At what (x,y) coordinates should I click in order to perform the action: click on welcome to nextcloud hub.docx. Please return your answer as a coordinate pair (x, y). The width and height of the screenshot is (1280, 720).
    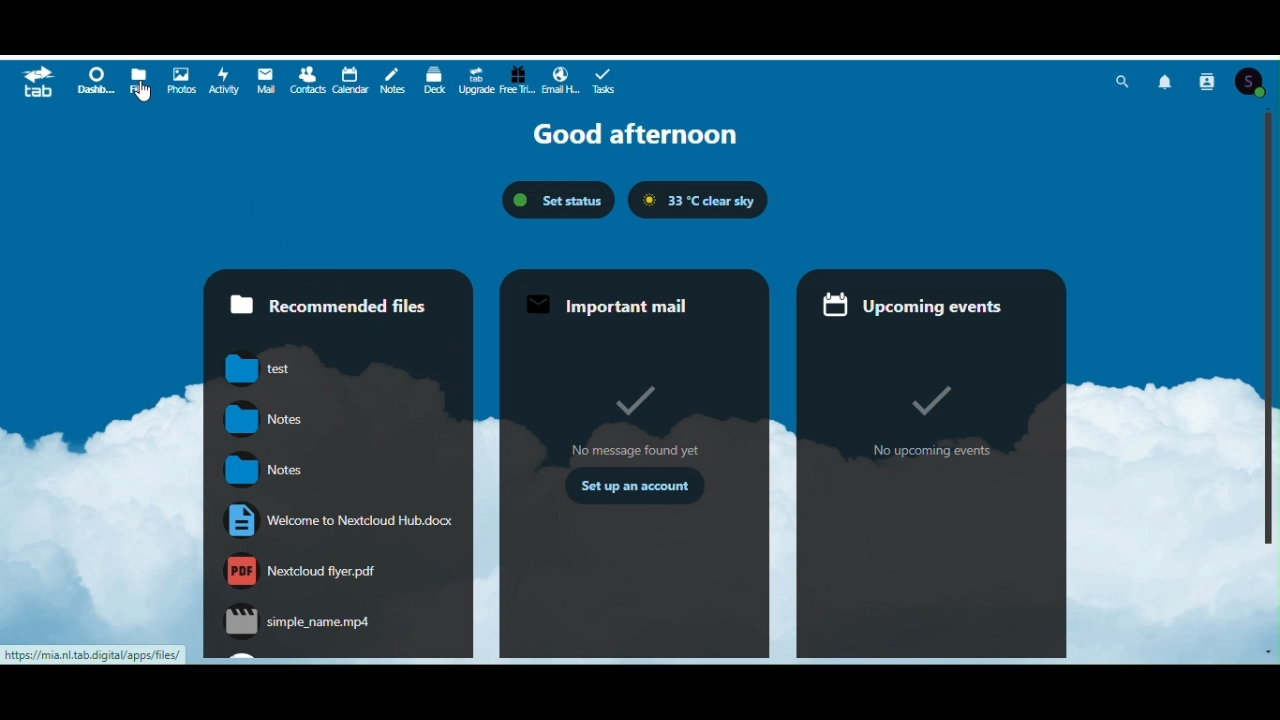
    Looking at the image, I should click on (339, 519).